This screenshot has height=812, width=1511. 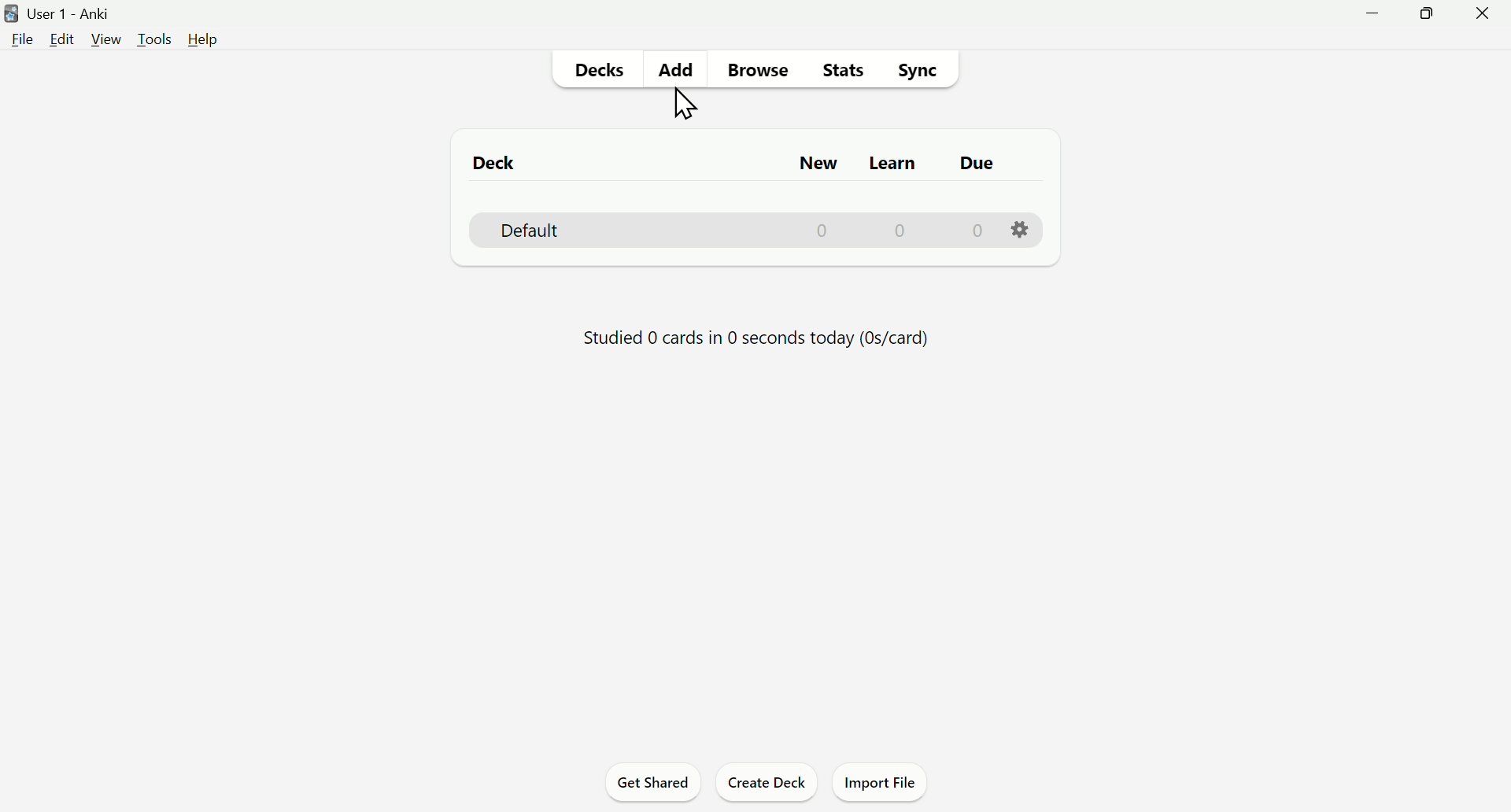 What do you see at coordinates (153, 38) in the screenshot?
I see `Tools` at bounding box center [153, 38].